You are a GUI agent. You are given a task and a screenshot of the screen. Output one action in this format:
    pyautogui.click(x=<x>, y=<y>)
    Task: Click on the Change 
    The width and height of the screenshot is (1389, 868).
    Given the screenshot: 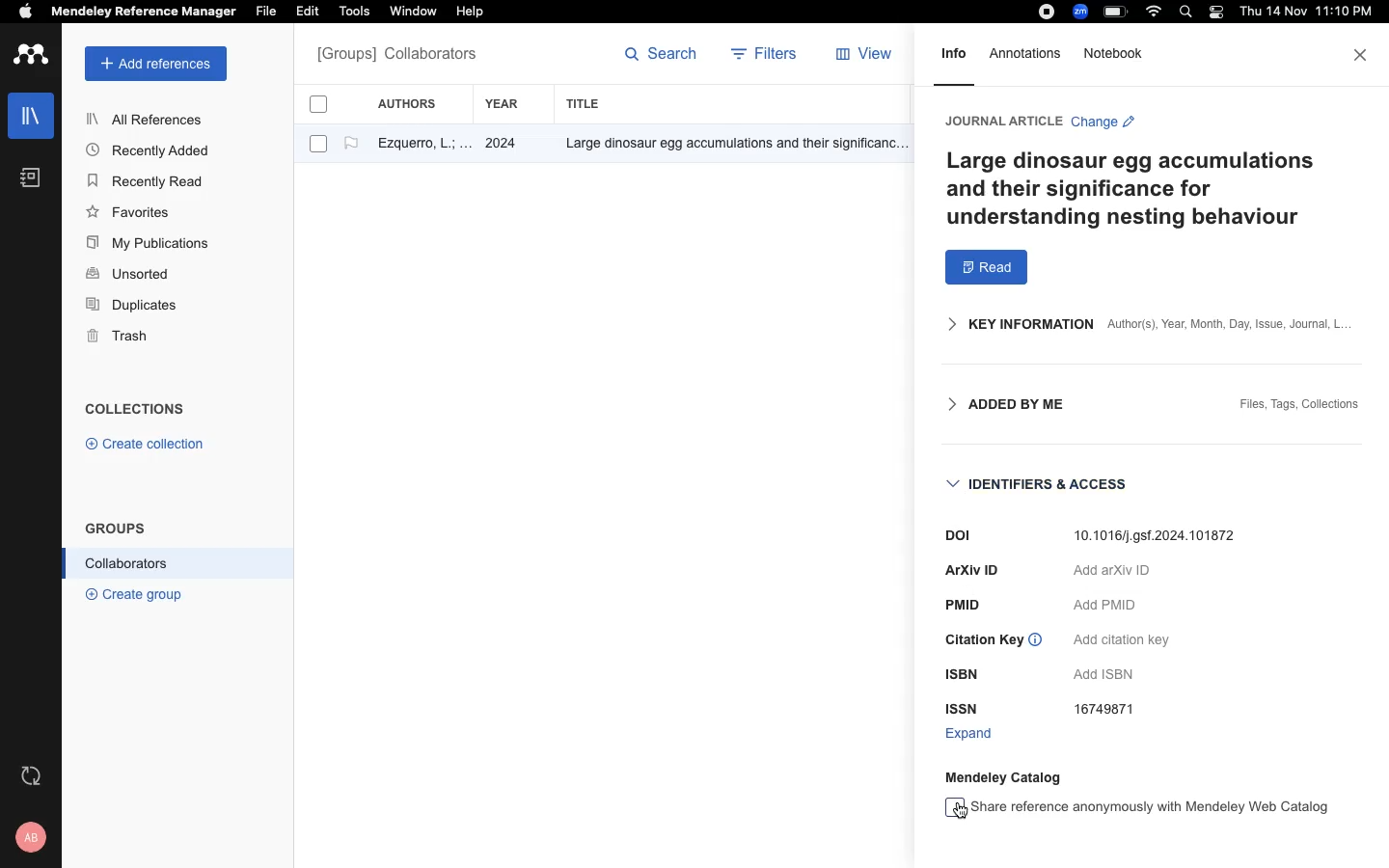 What is the action you would take?
    pyautogui.click(x=1103, y=124)
    